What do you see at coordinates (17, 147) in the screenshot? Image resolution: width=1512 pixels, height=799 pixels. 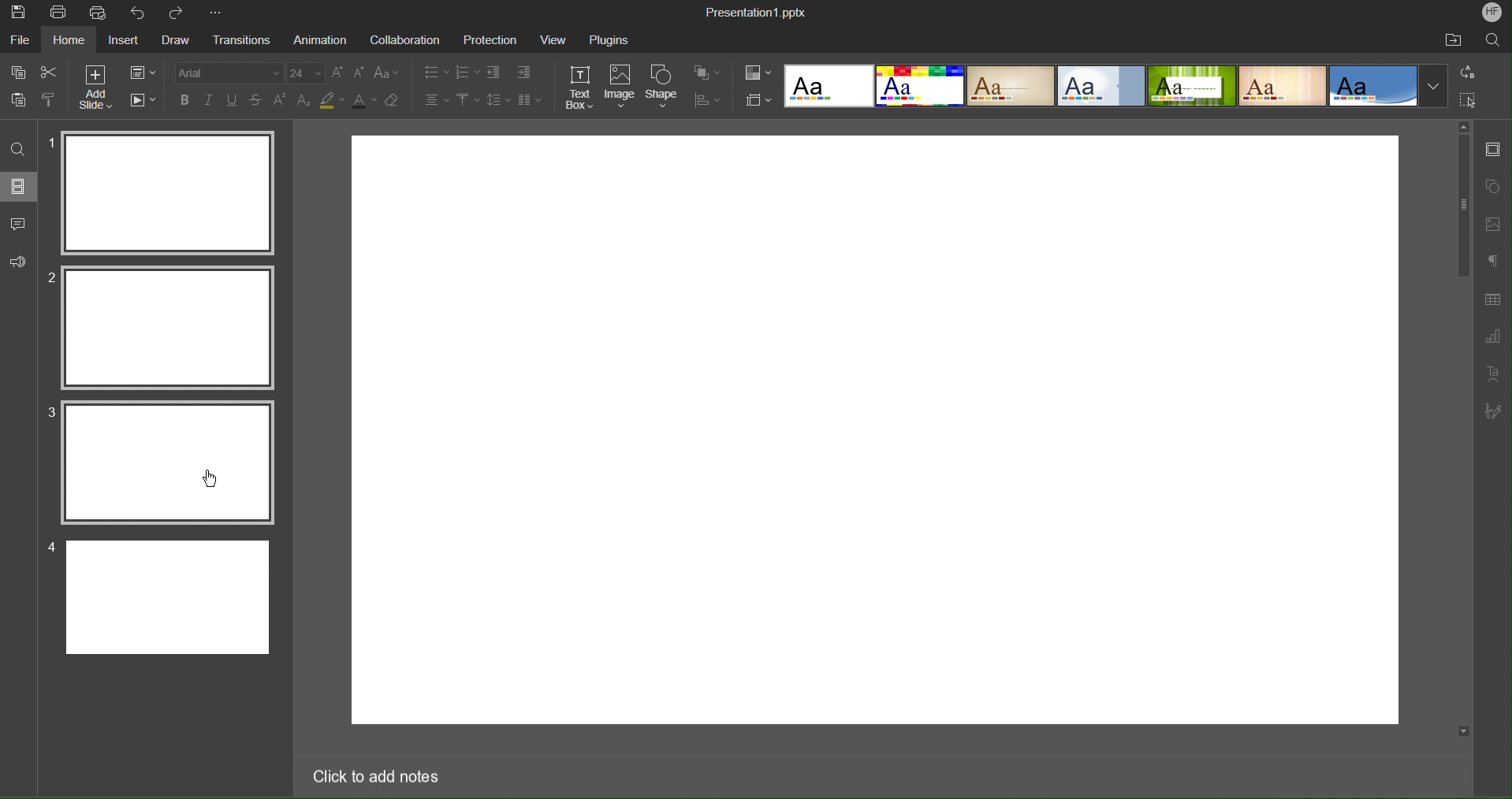 I see `Search` at bounding box center [17, 147].